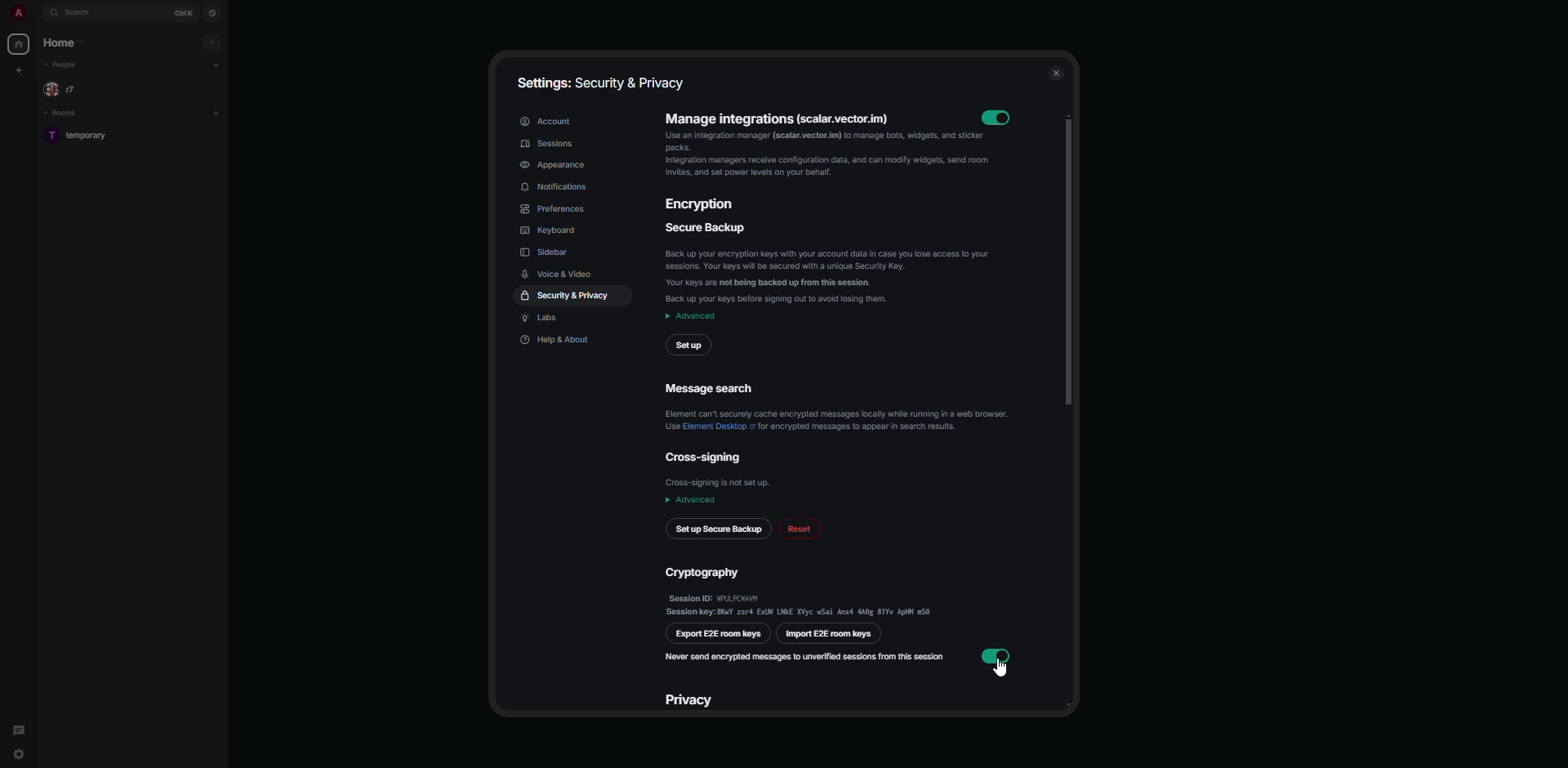 This screenshot has width=1568, height=768. I want to click on scroll bar, so click(1067, 256).